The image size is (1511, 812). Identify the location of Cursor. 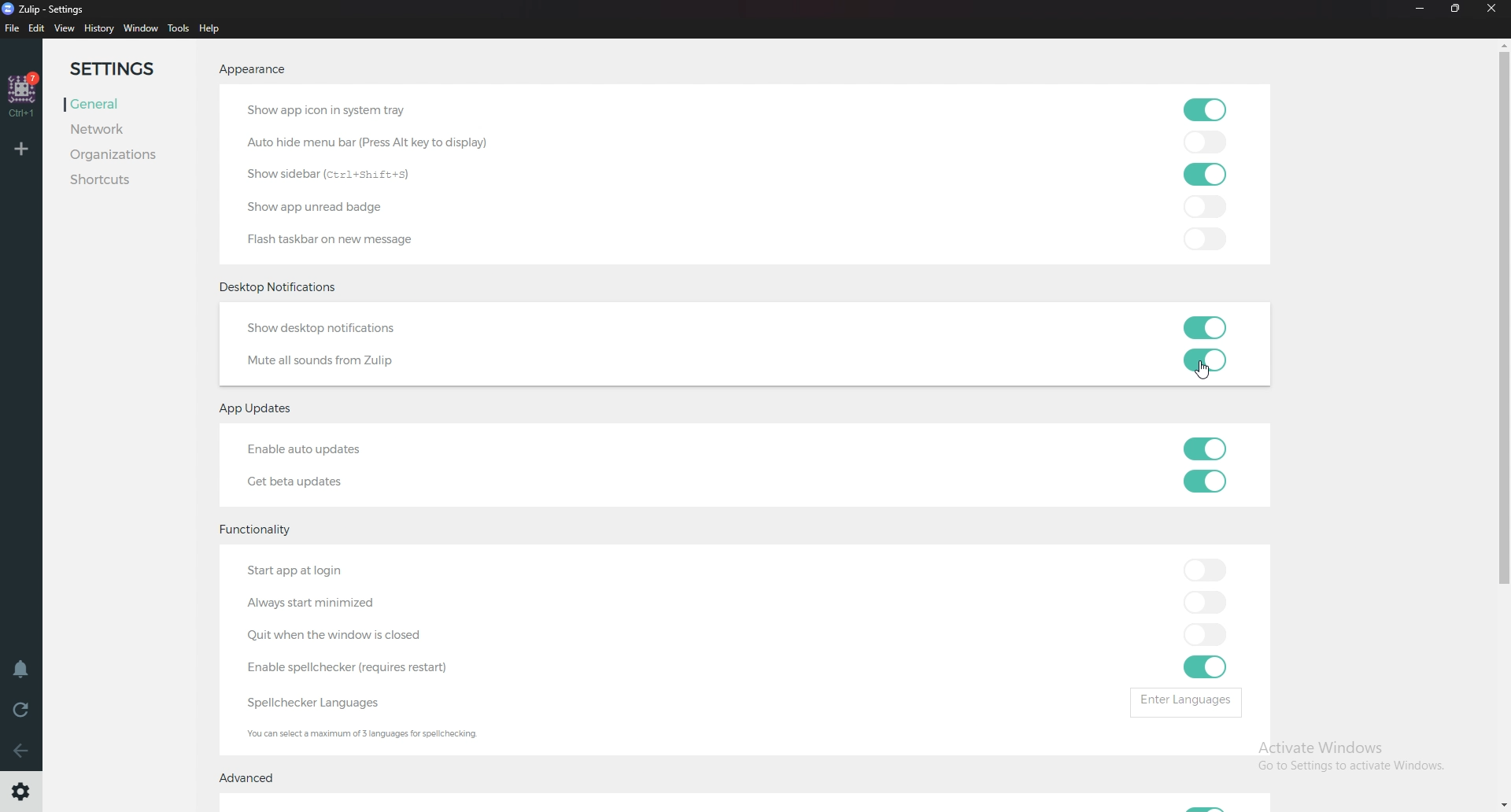
(1204, 370).